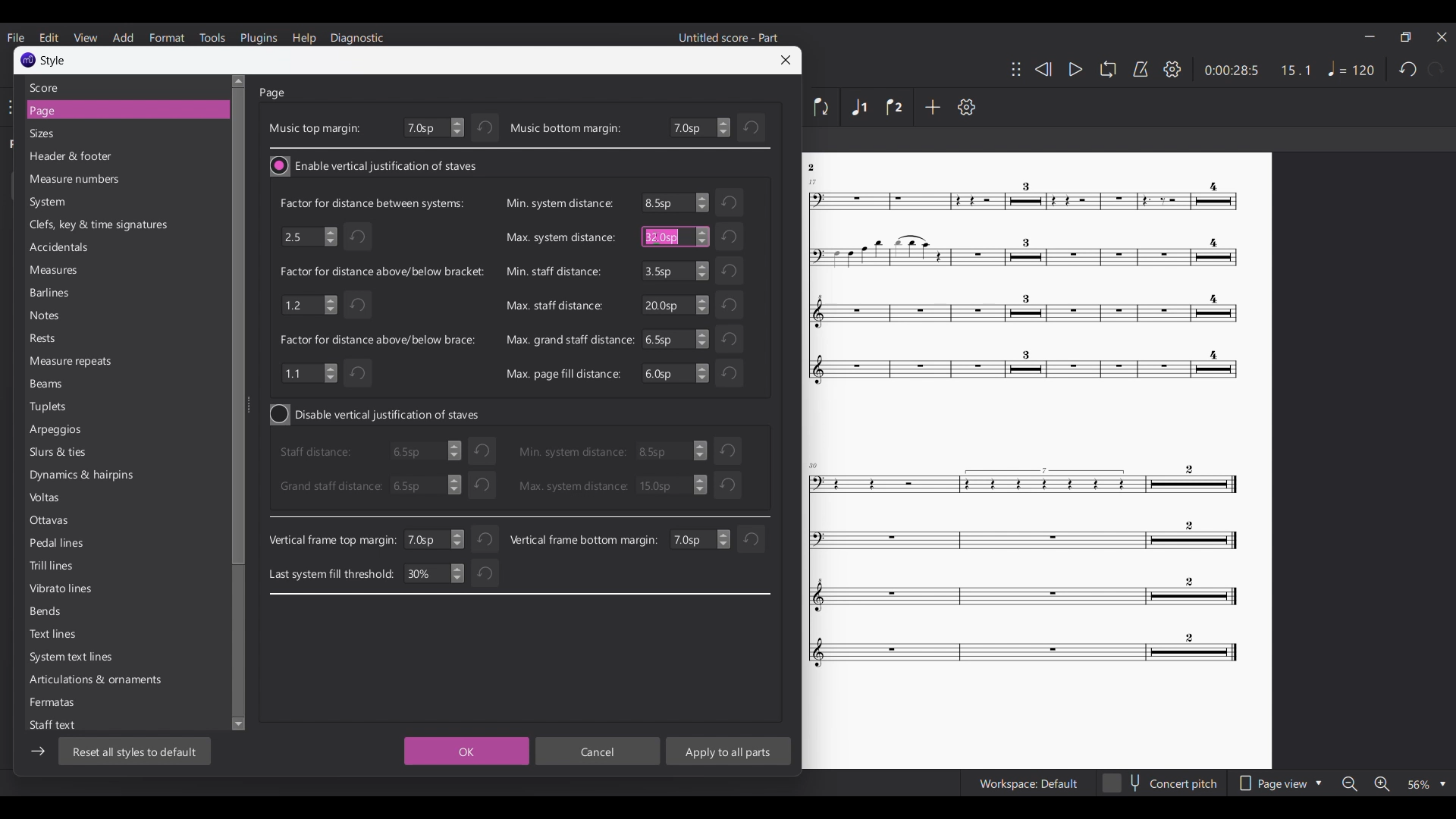  I want to click on Show/Hide sidebar, so click(38, 752).